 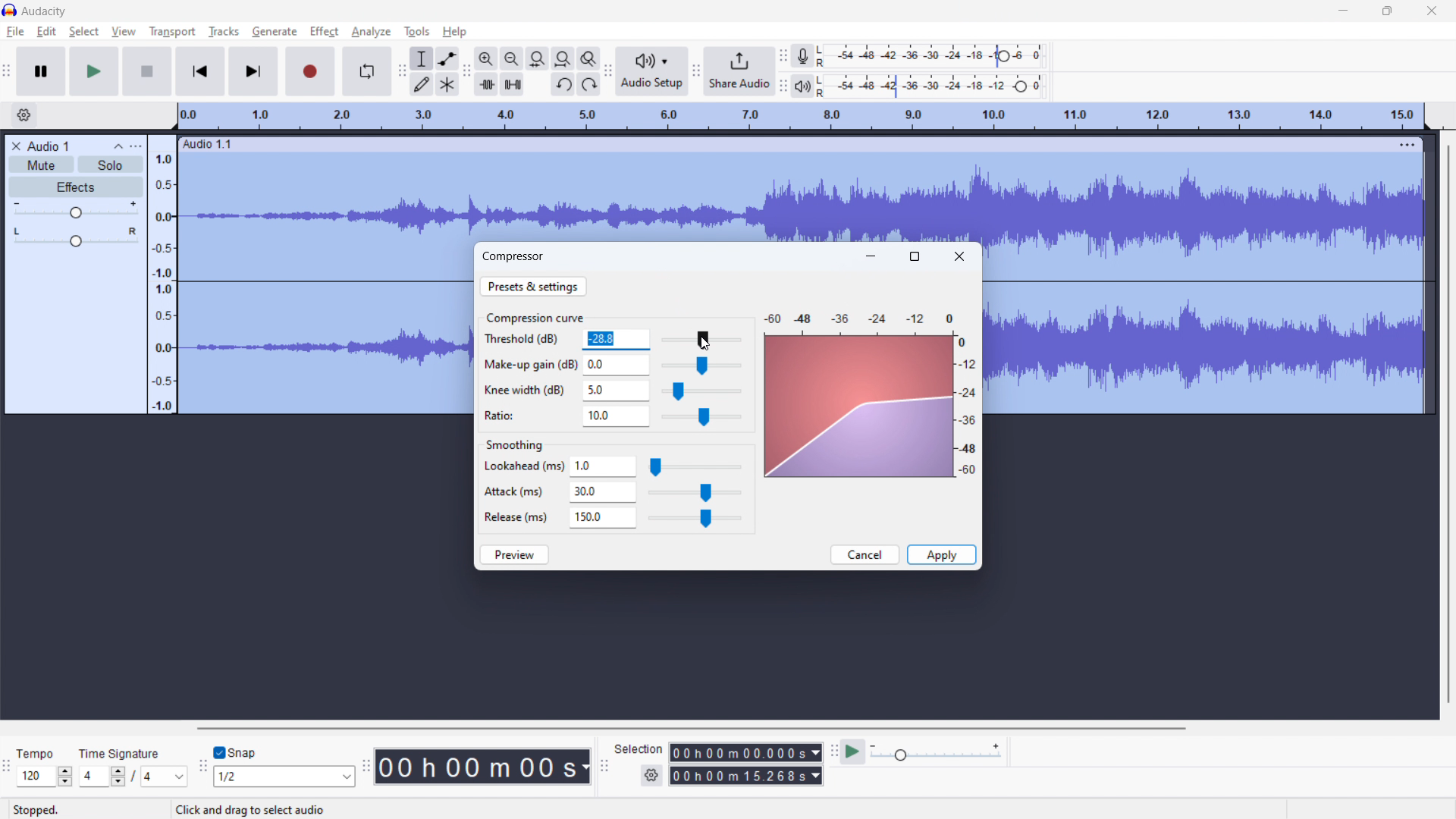 What do you see at coordinates (615, 339) in the screenshot?
I see `-28.8` at bounding box center [615, 339].